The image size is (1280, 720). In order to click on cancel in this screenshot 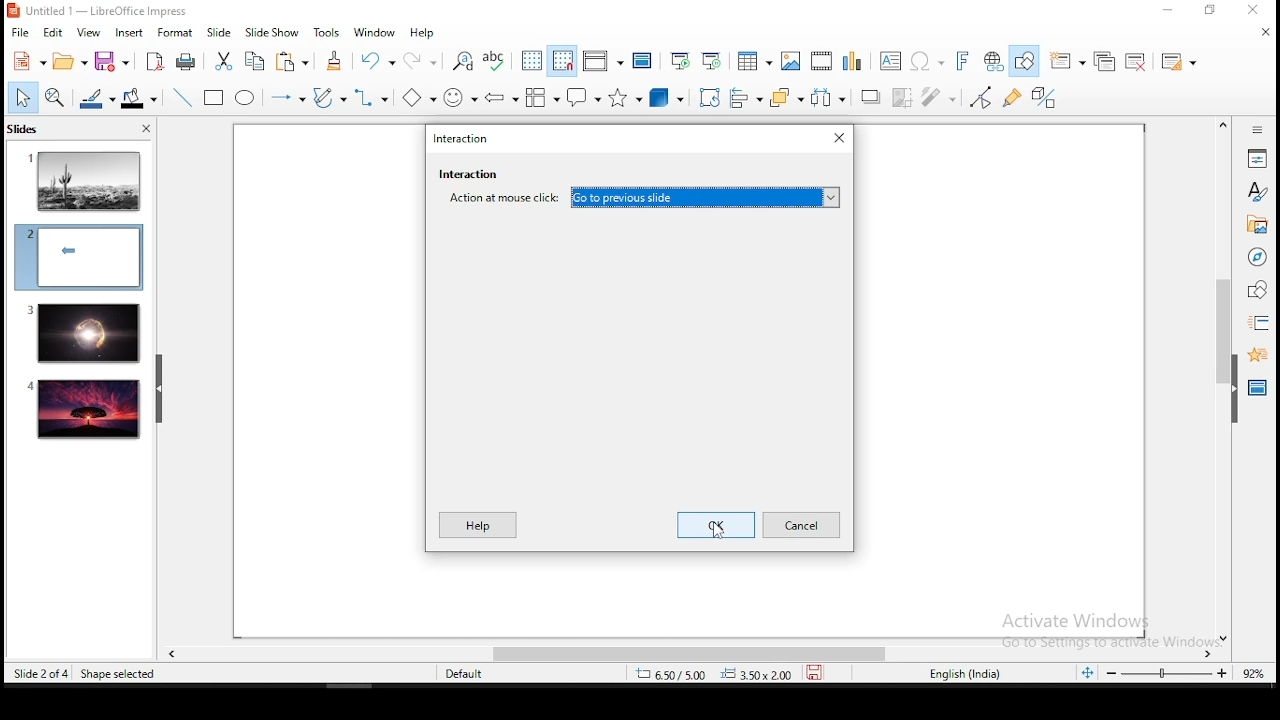, I will do `click(803, 524)`.